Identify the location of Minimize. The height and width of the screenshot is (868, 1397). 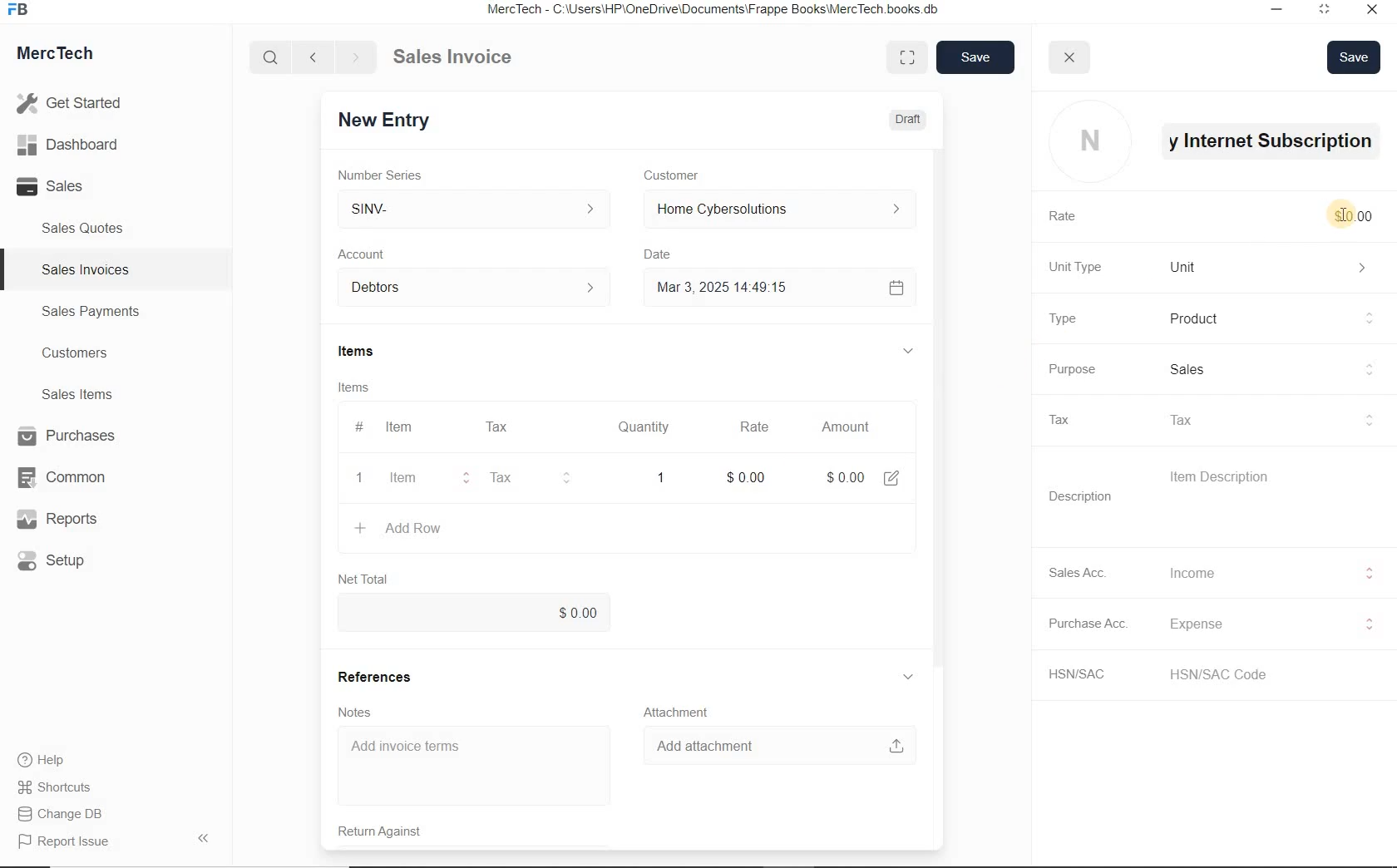
(1276, 12).